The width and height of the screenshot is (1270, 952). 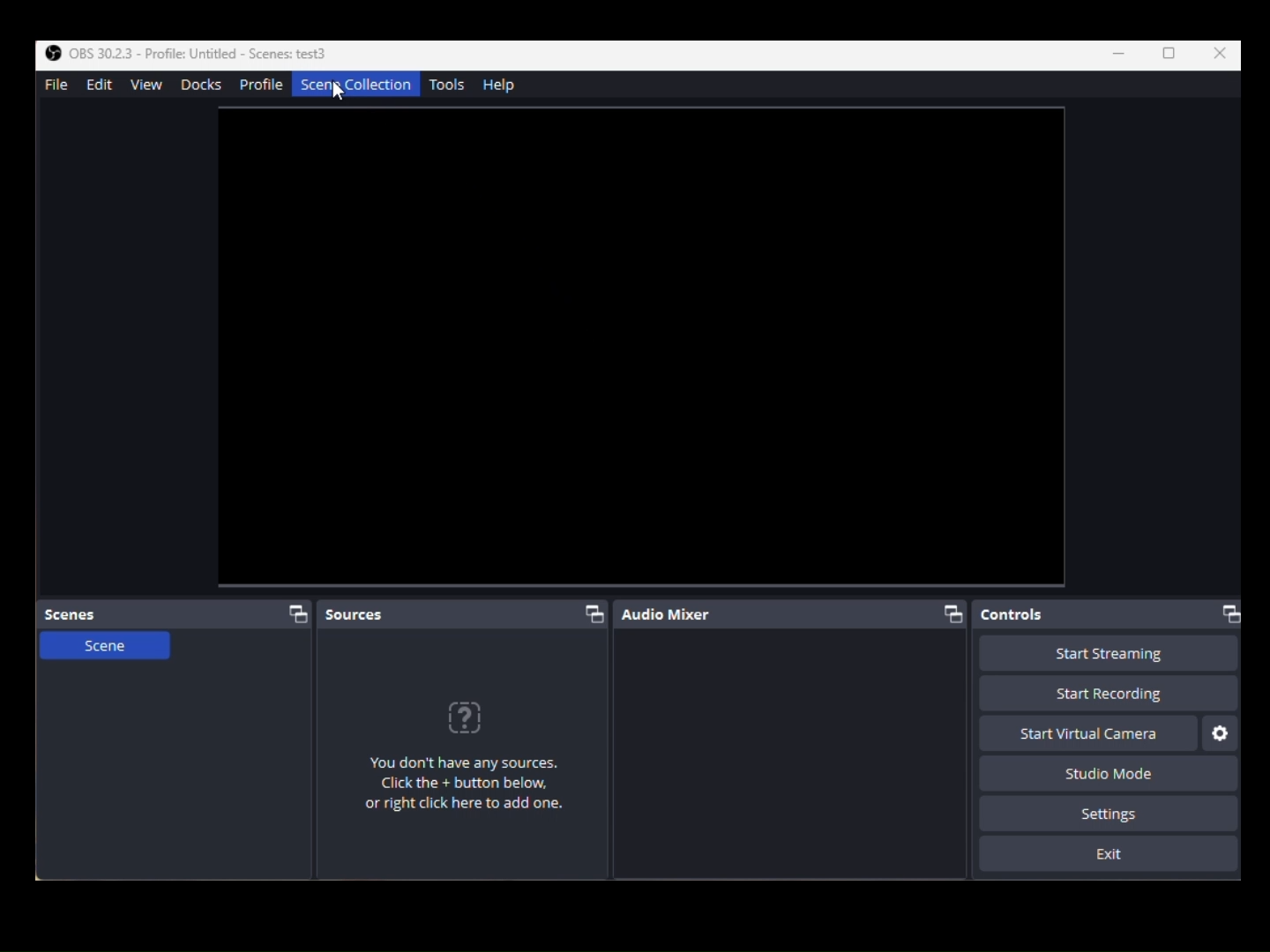 What do you see at coordinates (1221, 733) in the screenshot?
I see `Settings` at bounding box center [1221, 733].